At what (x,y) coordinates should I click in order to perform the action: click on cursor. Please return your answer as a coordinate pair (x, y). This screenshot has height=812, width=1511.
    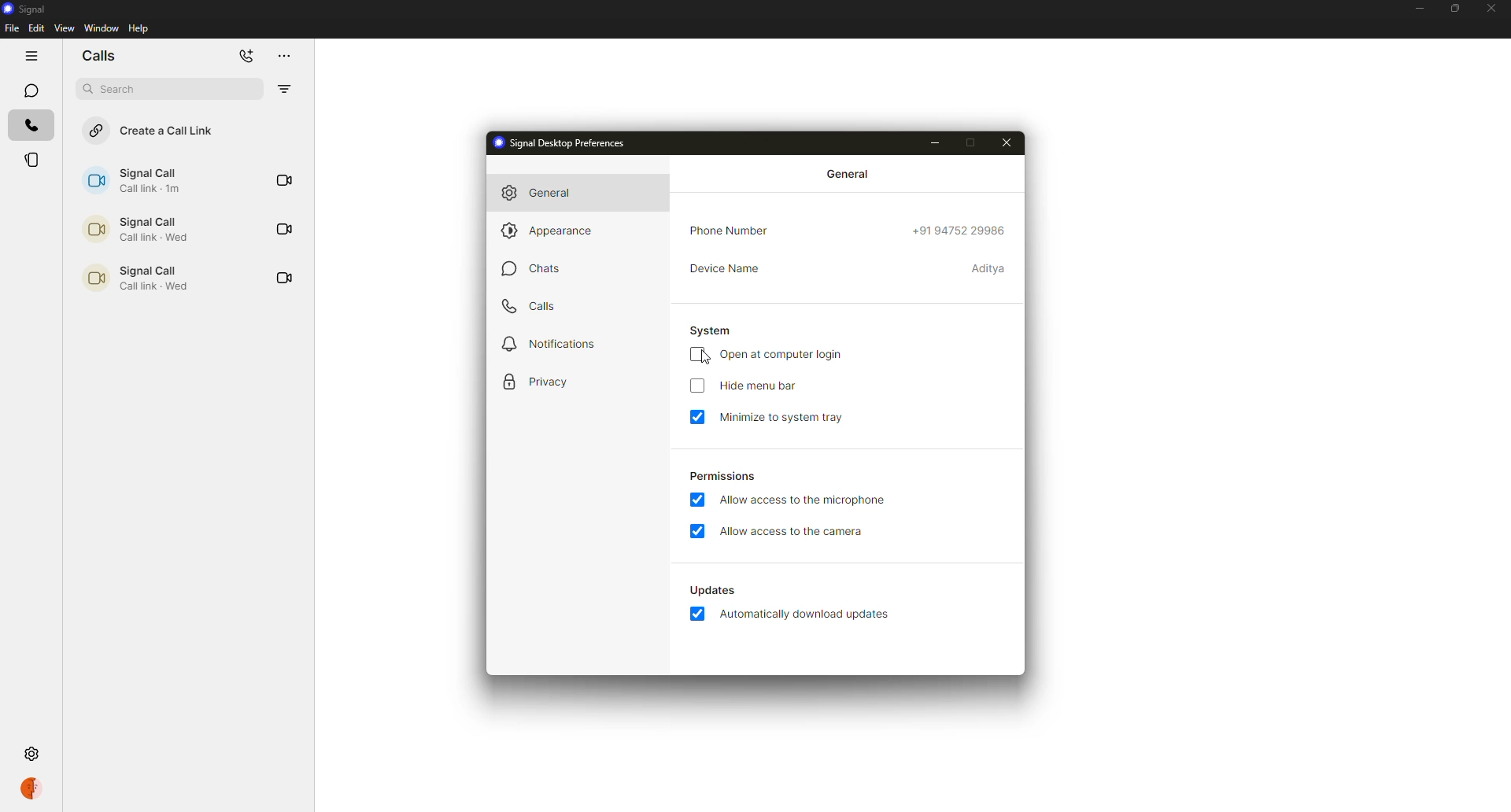
    Looking at the image, I should click on (702, 357).